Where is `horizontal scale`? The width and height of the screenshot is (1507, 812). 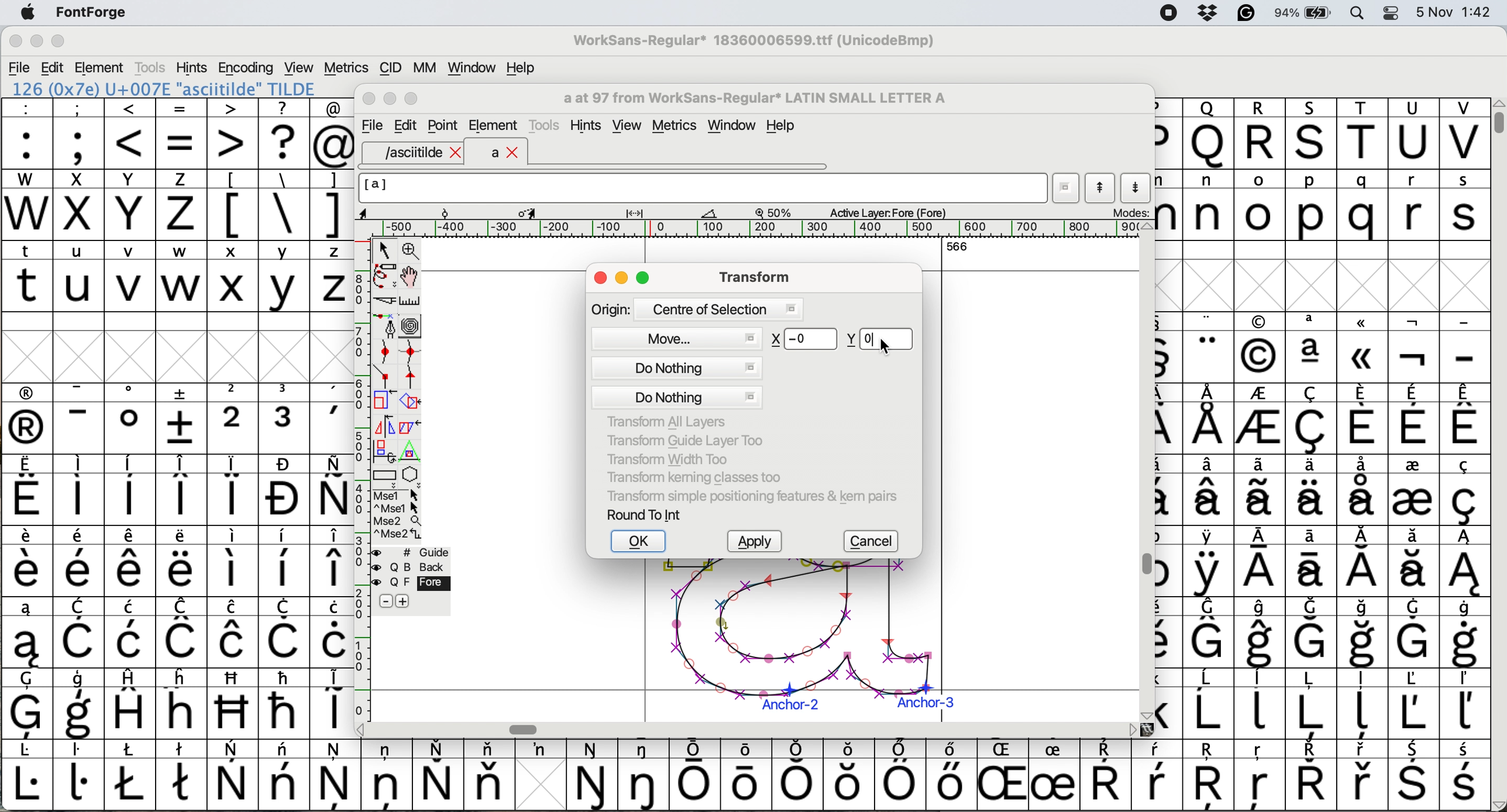 horizontal scale is located at coordinates (761, 229).